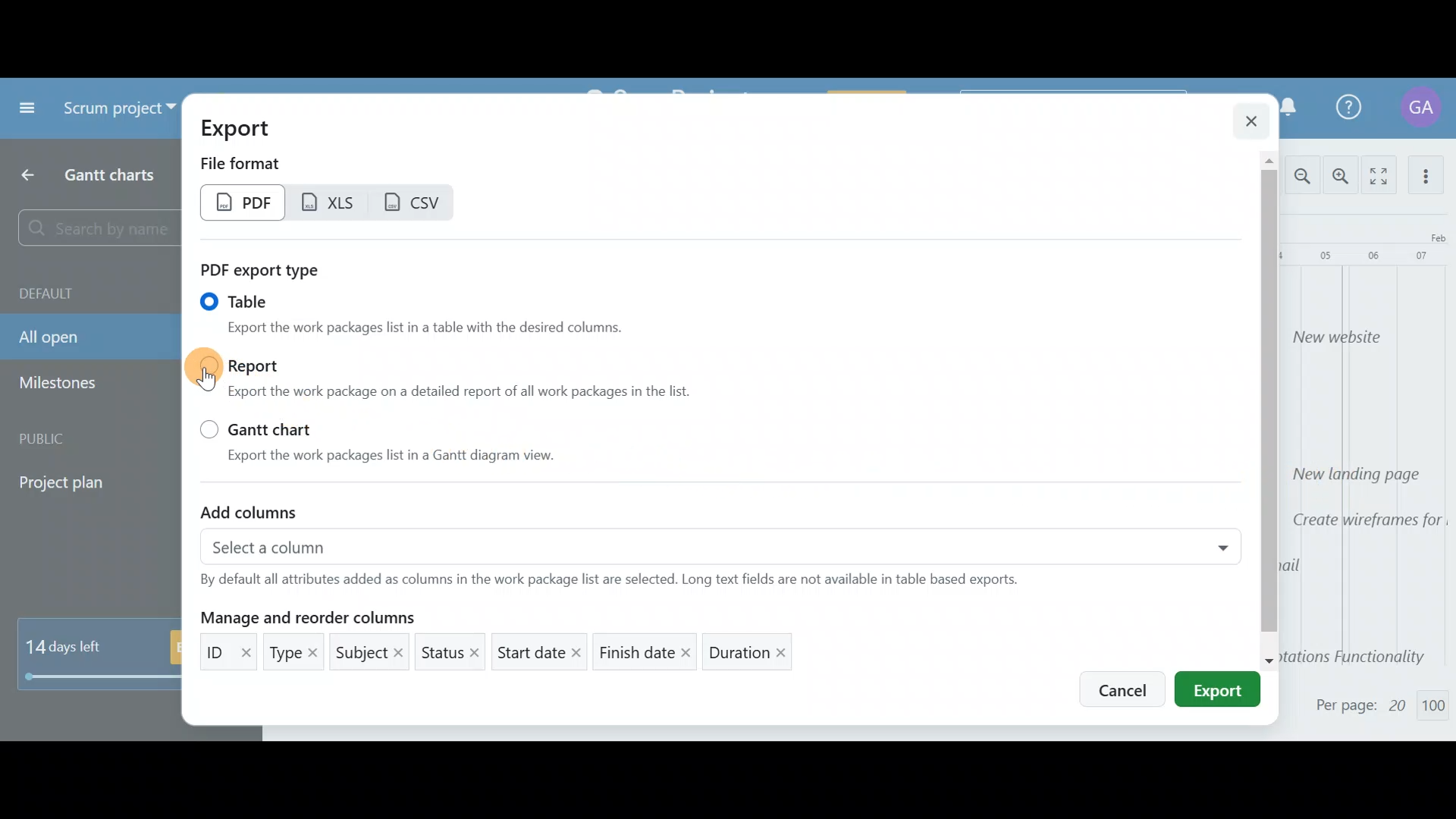 This screenshot has width=1456, height=819. Describe the element at coordinates (249, 363) in the screenshot. I see `Report` at that location.